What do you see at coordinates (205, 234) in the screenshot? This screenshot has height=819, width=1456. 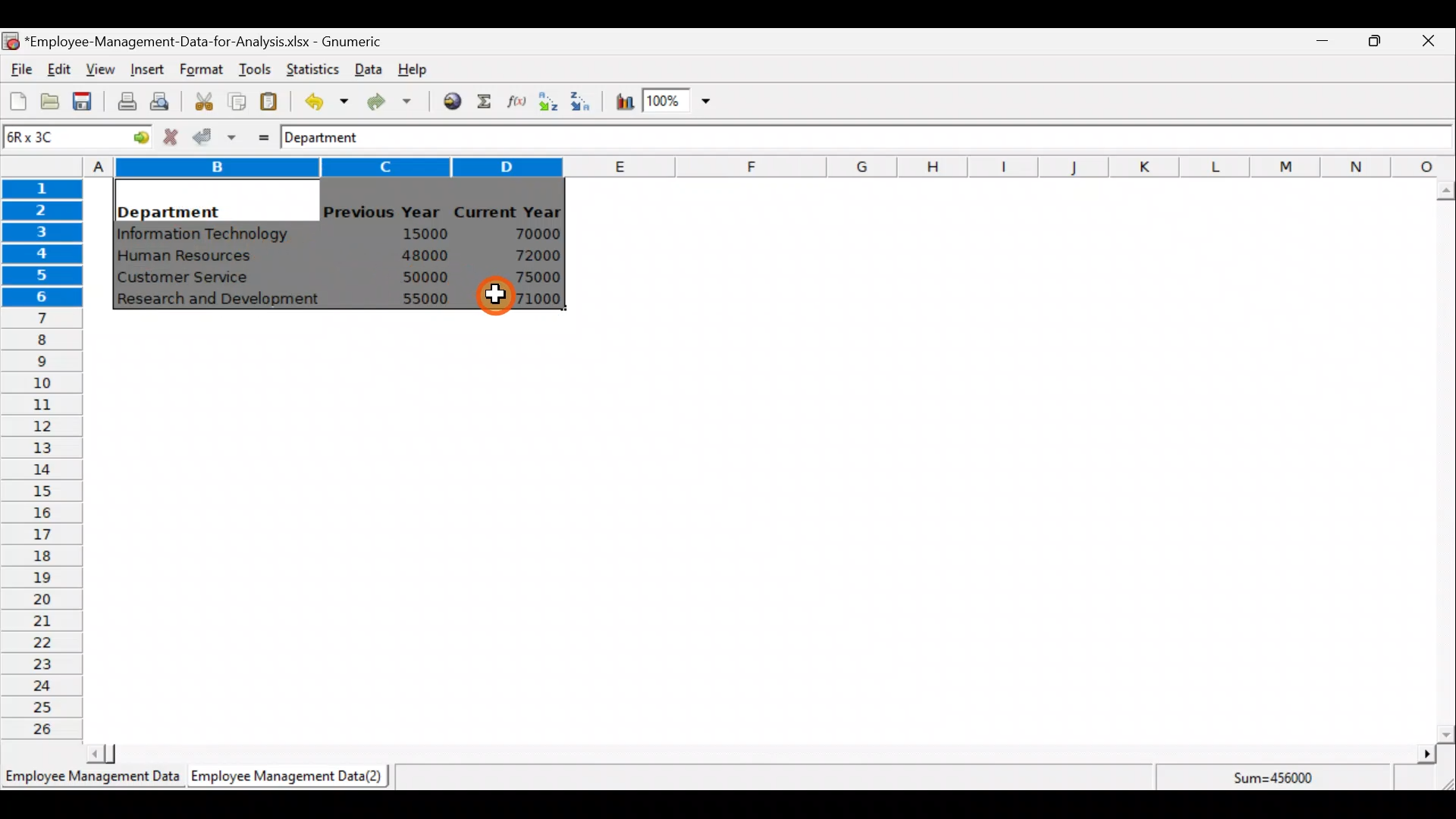 I see `Information Technology` at bounding box center [205, 234].